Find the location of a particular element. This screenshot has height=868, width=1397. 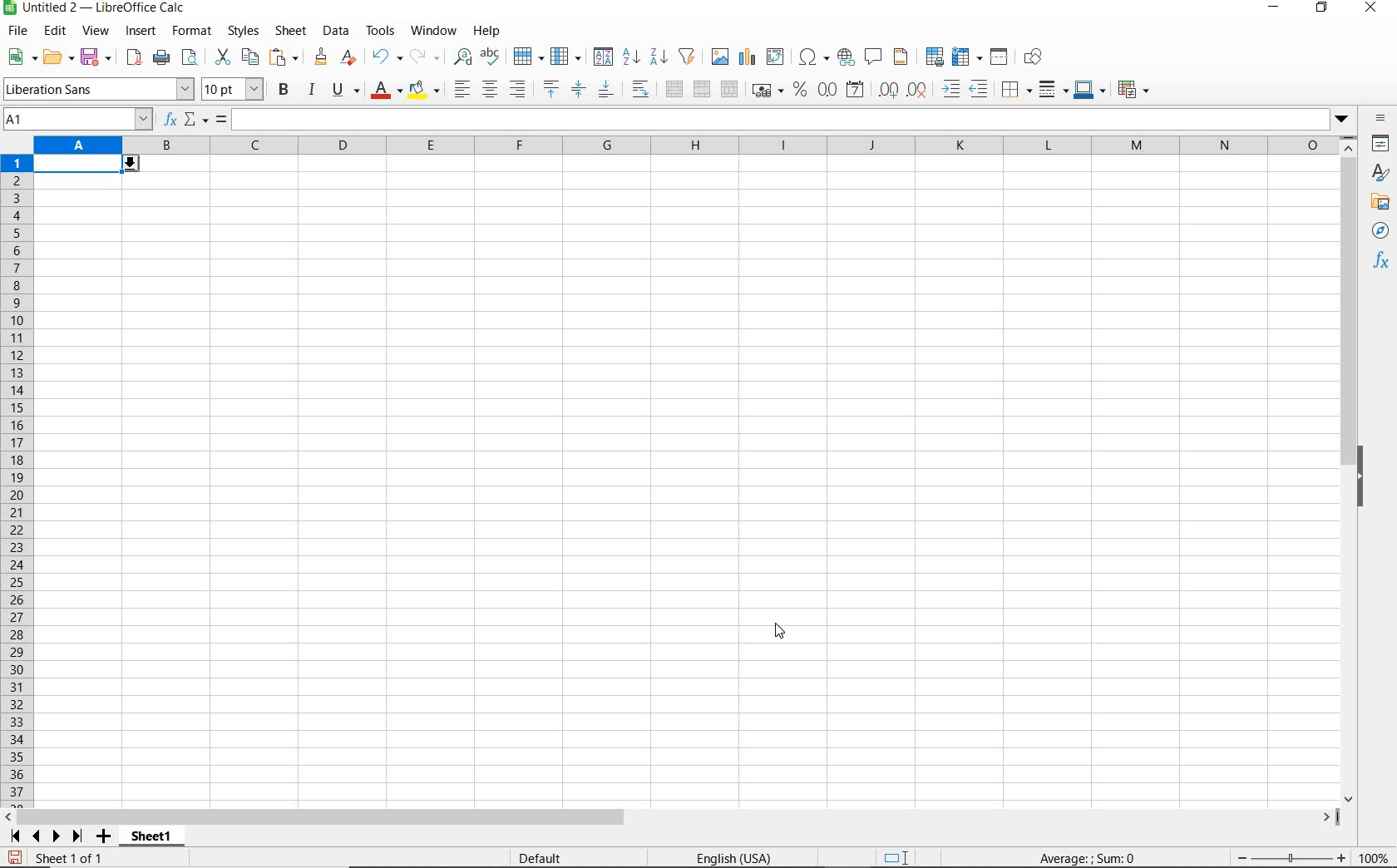

columns is located at coordinates (684, 146).